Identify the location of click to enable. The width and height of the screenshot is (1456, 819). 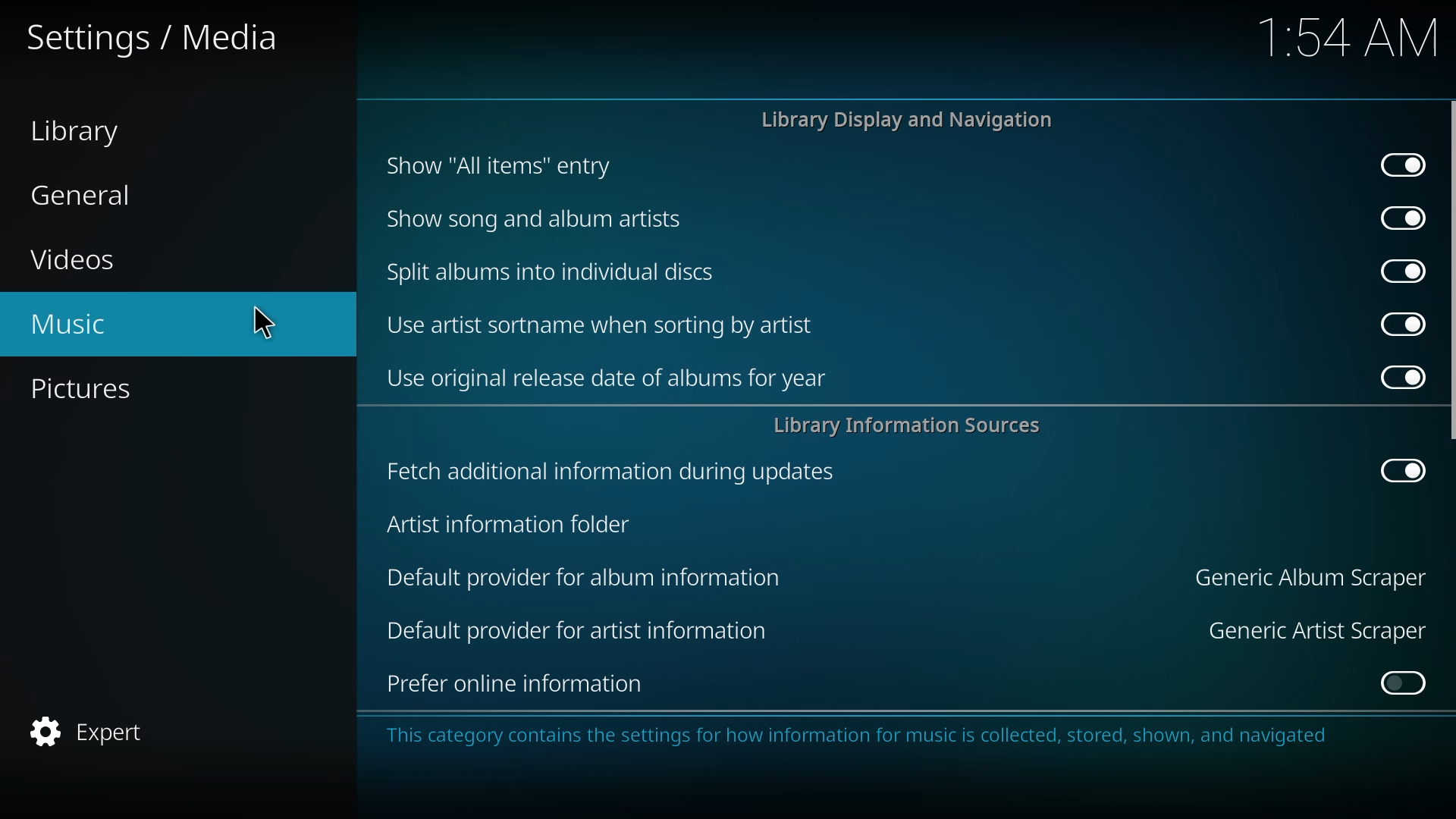
(1395, 685).